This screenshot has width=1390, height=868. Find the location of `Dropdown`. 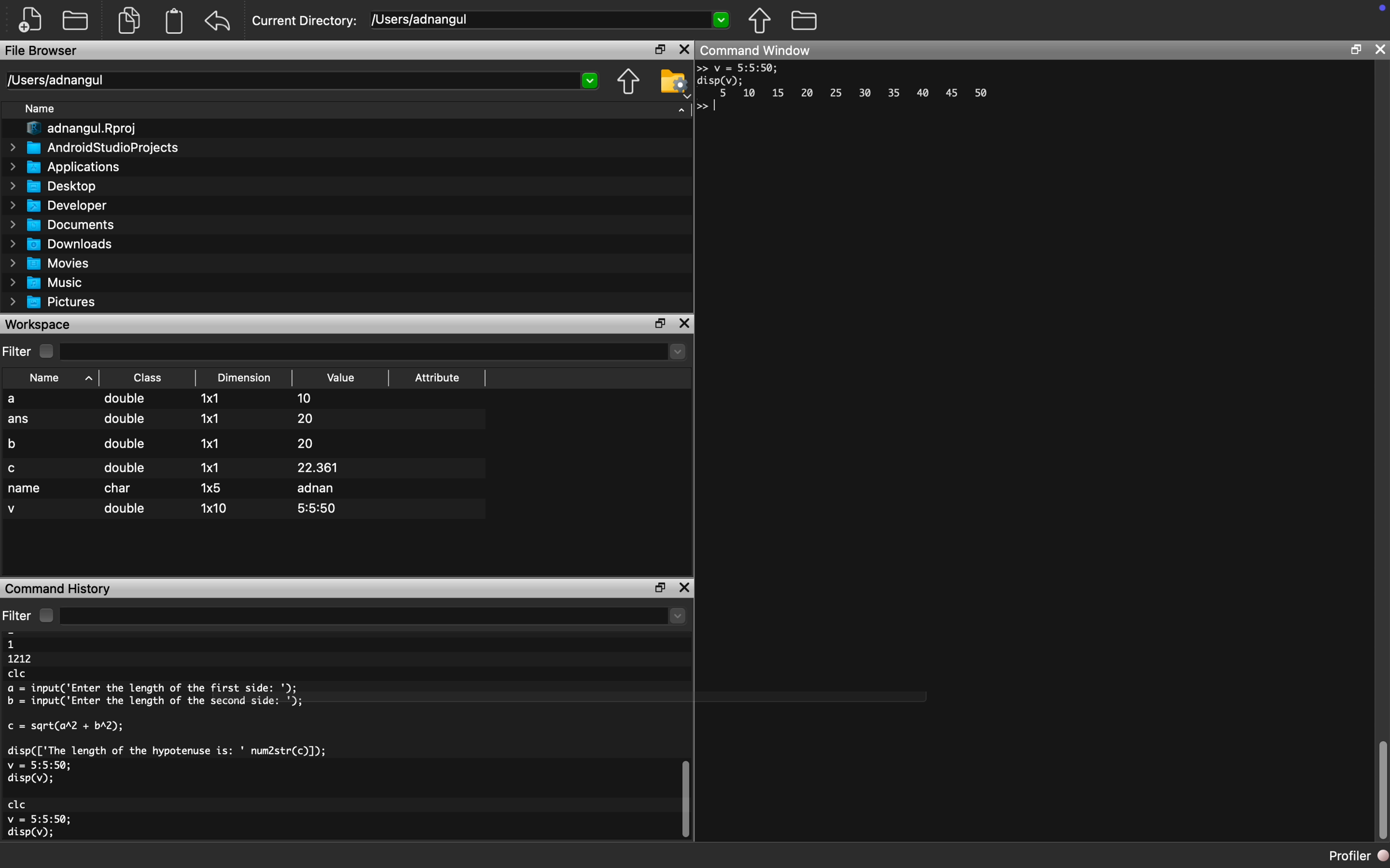

Dropdown is located at coordinates (589, 81).